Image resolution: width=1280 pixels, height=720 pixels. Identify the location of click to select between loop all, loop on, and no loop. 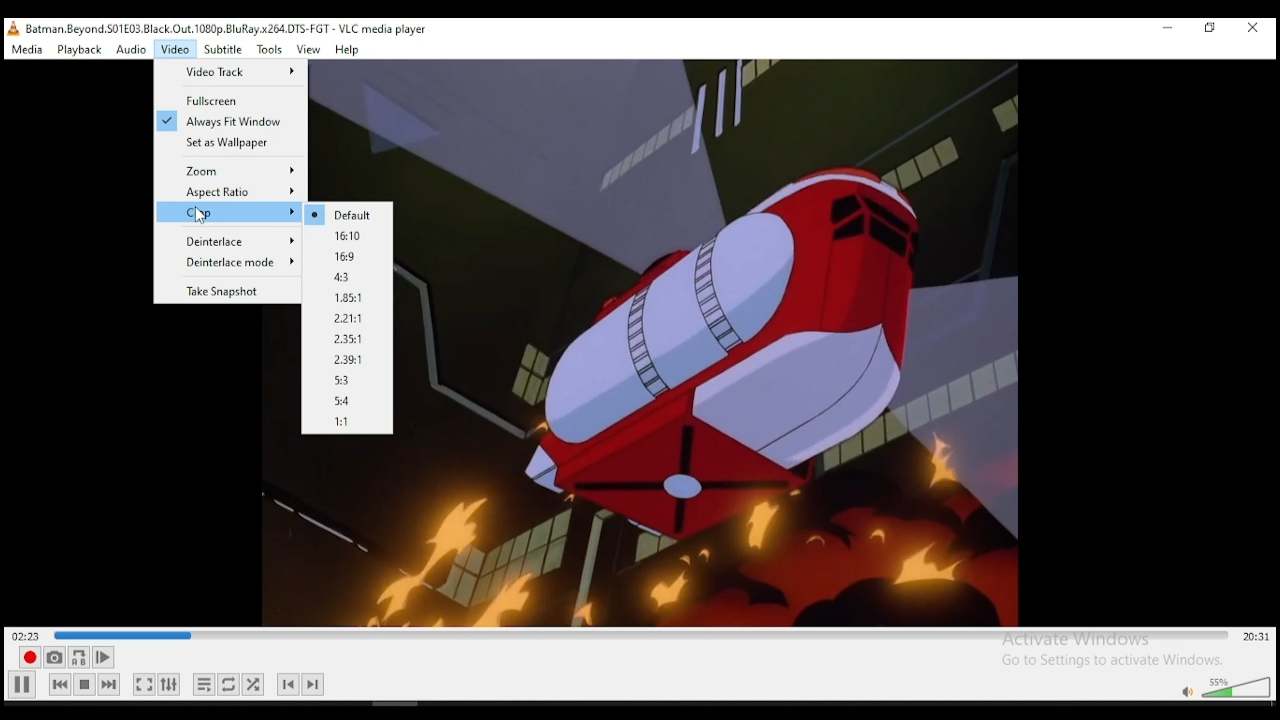
(230, 684).